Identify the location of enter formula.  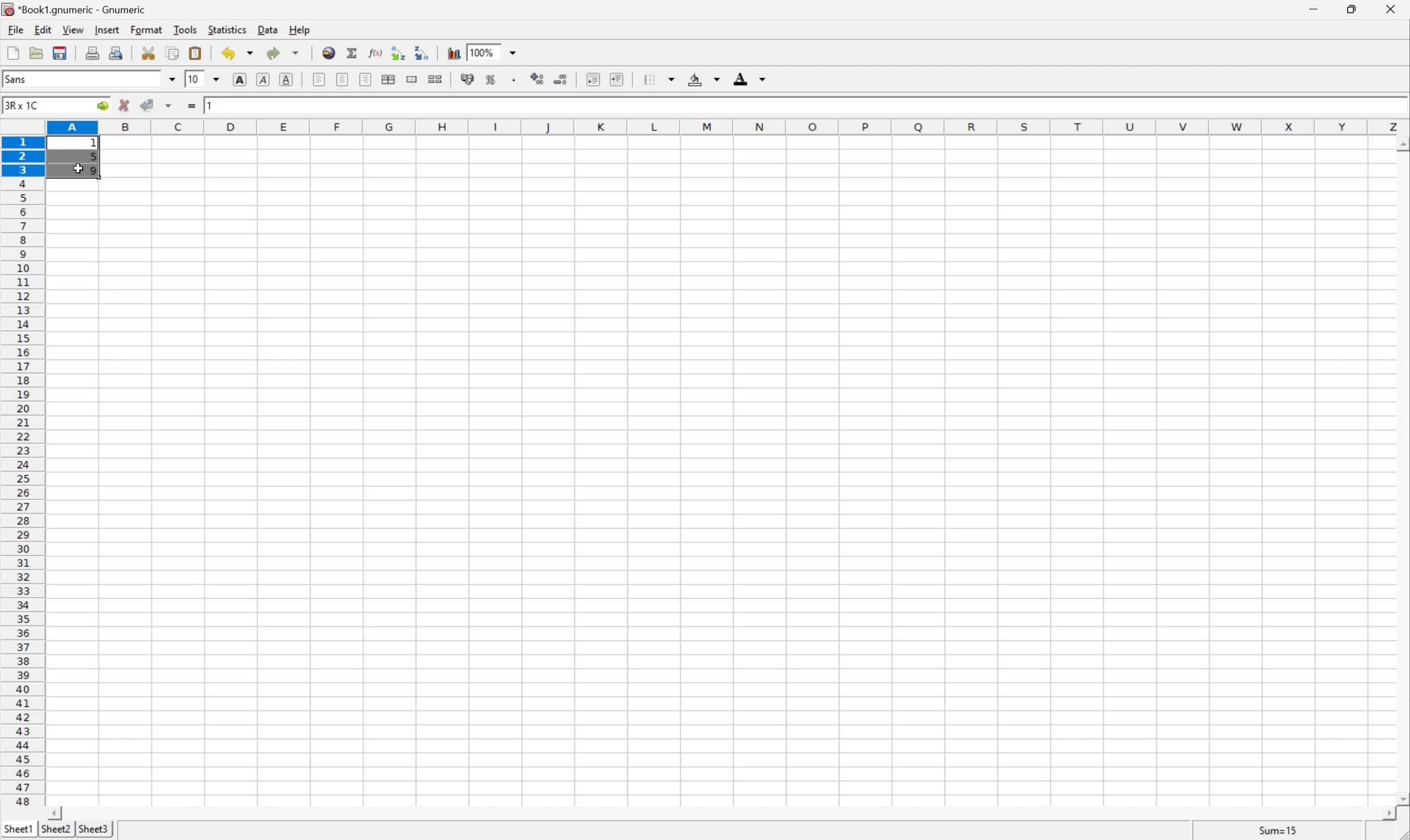
(192, 106).